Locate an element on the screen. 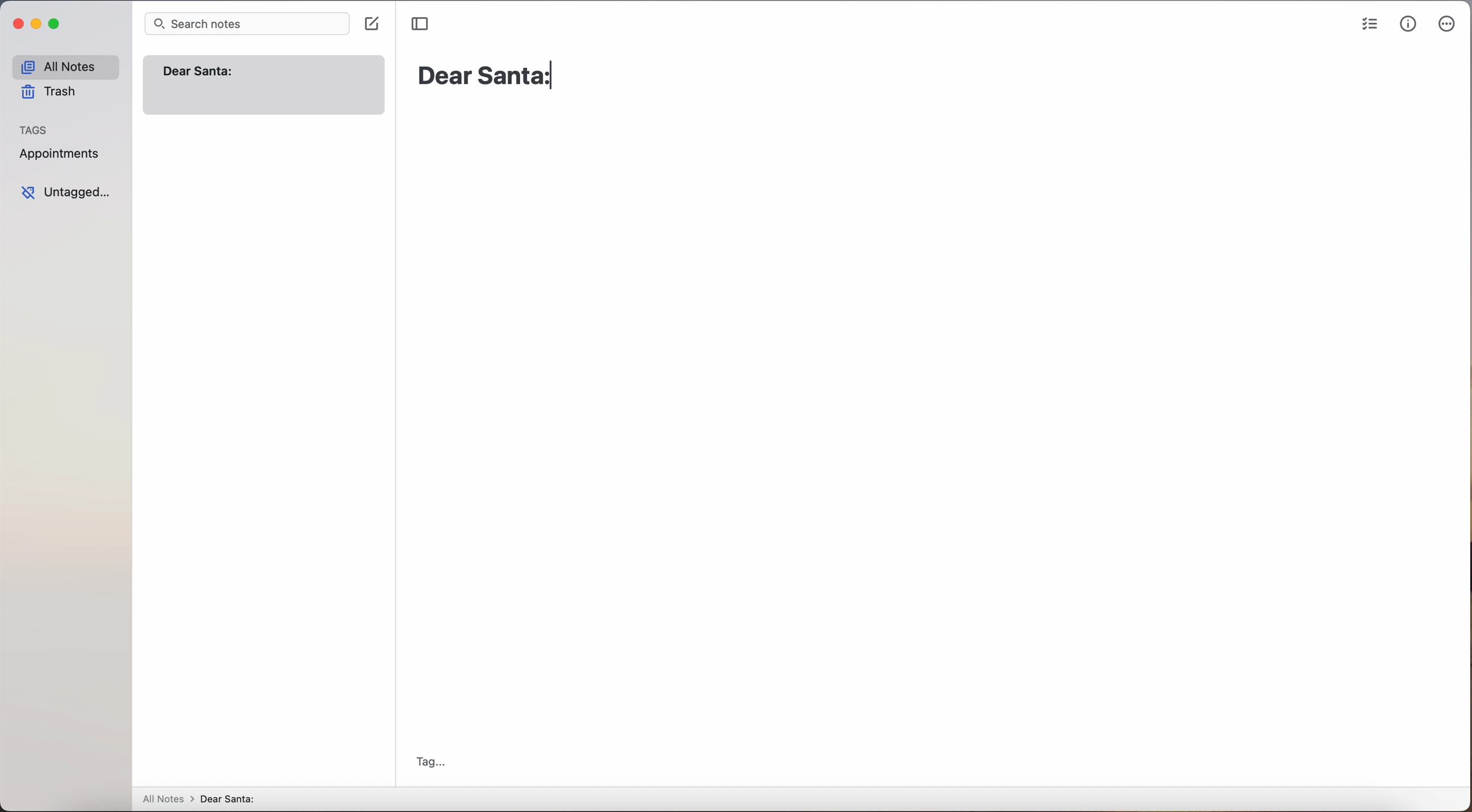 This screenshot has height=812, width=1472. metrics is located at coordinates (1409, 24).